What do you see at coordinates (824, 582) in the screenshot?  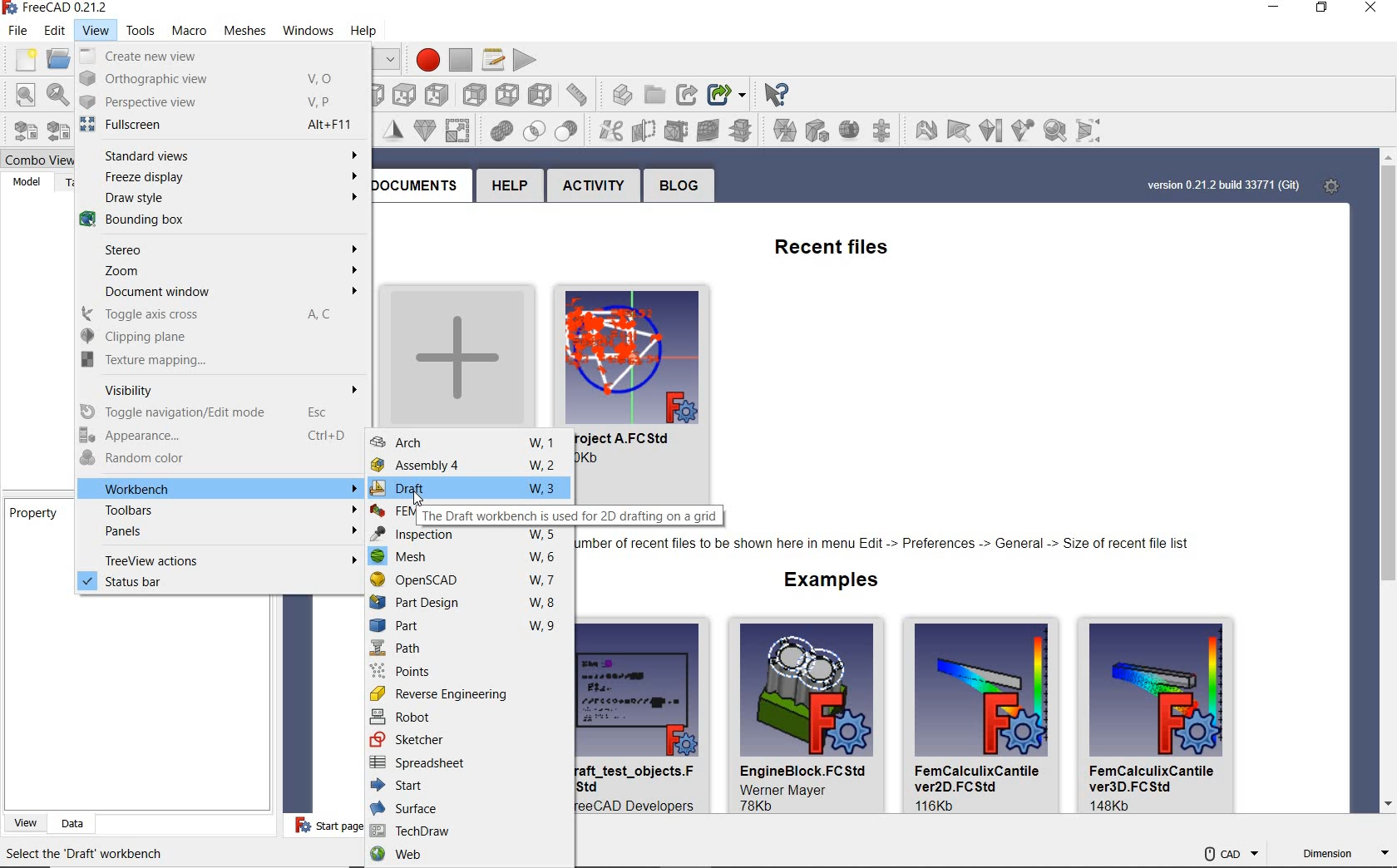 I see `examples` at bounding box center [824, 582].